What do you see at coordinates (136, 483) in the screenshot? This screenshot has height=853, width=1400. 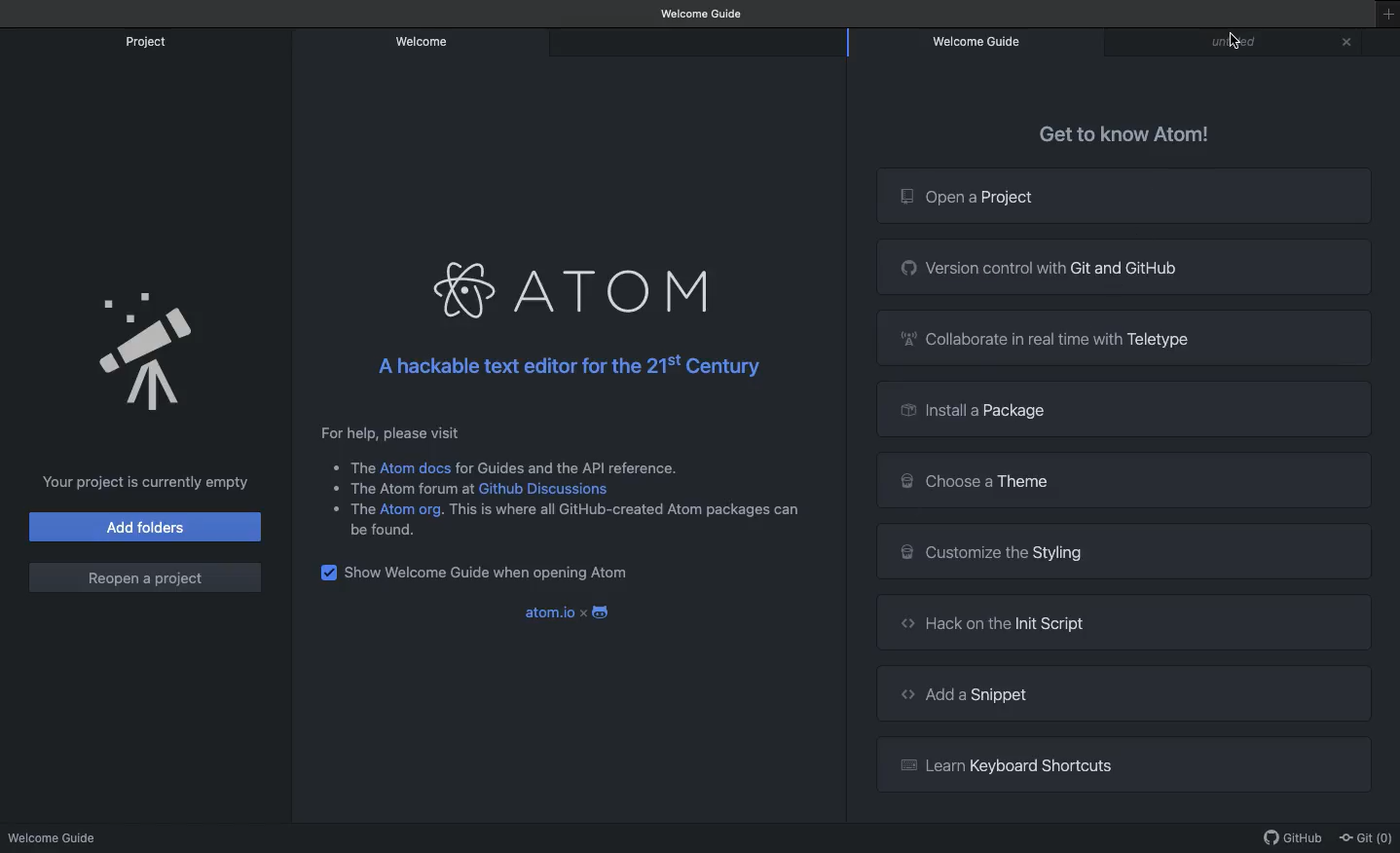 I see `Your project is currently empty` at bounding box center [136, 483].